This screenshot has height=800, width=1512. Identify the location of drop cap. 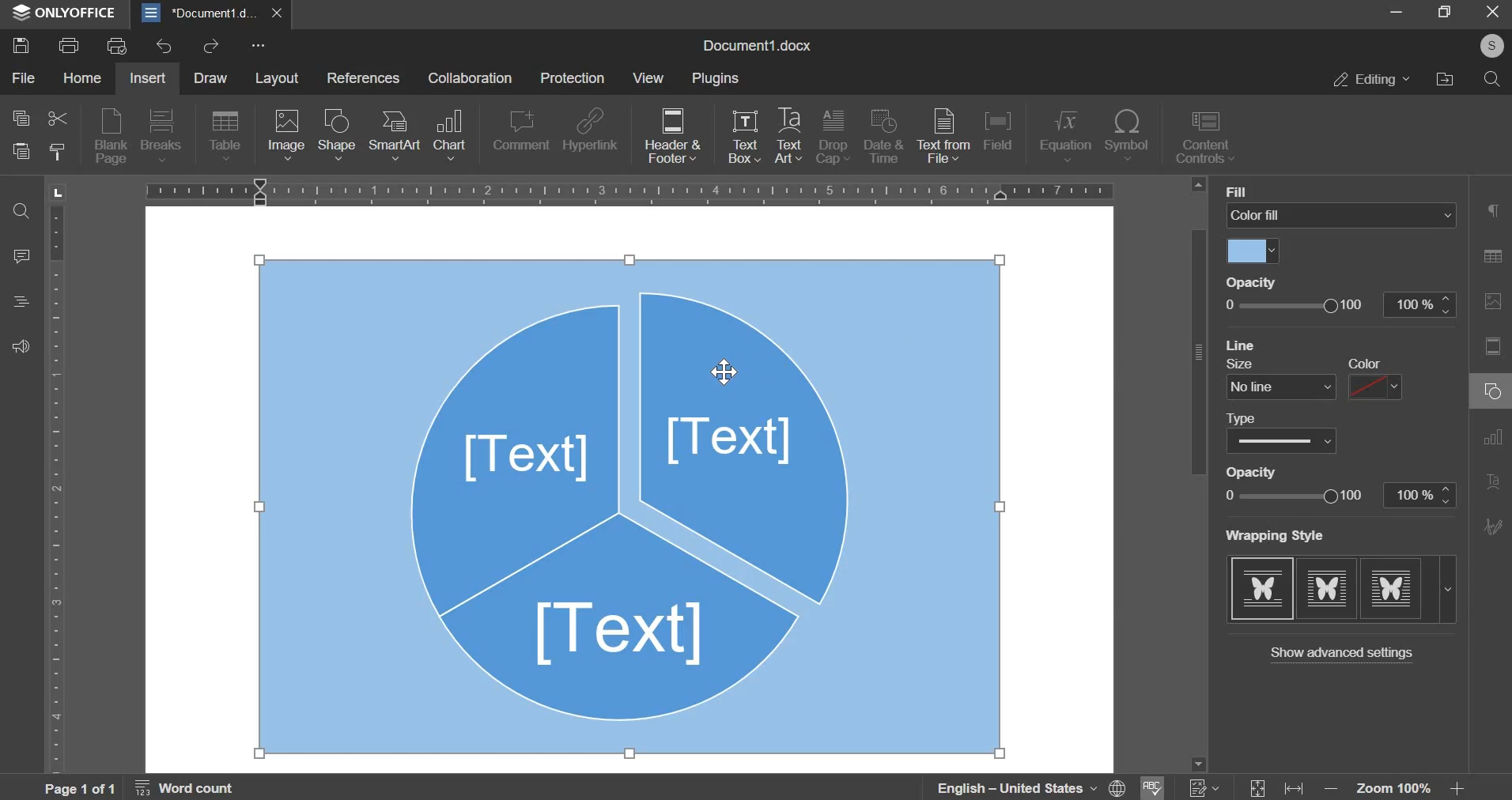
(833, 139).